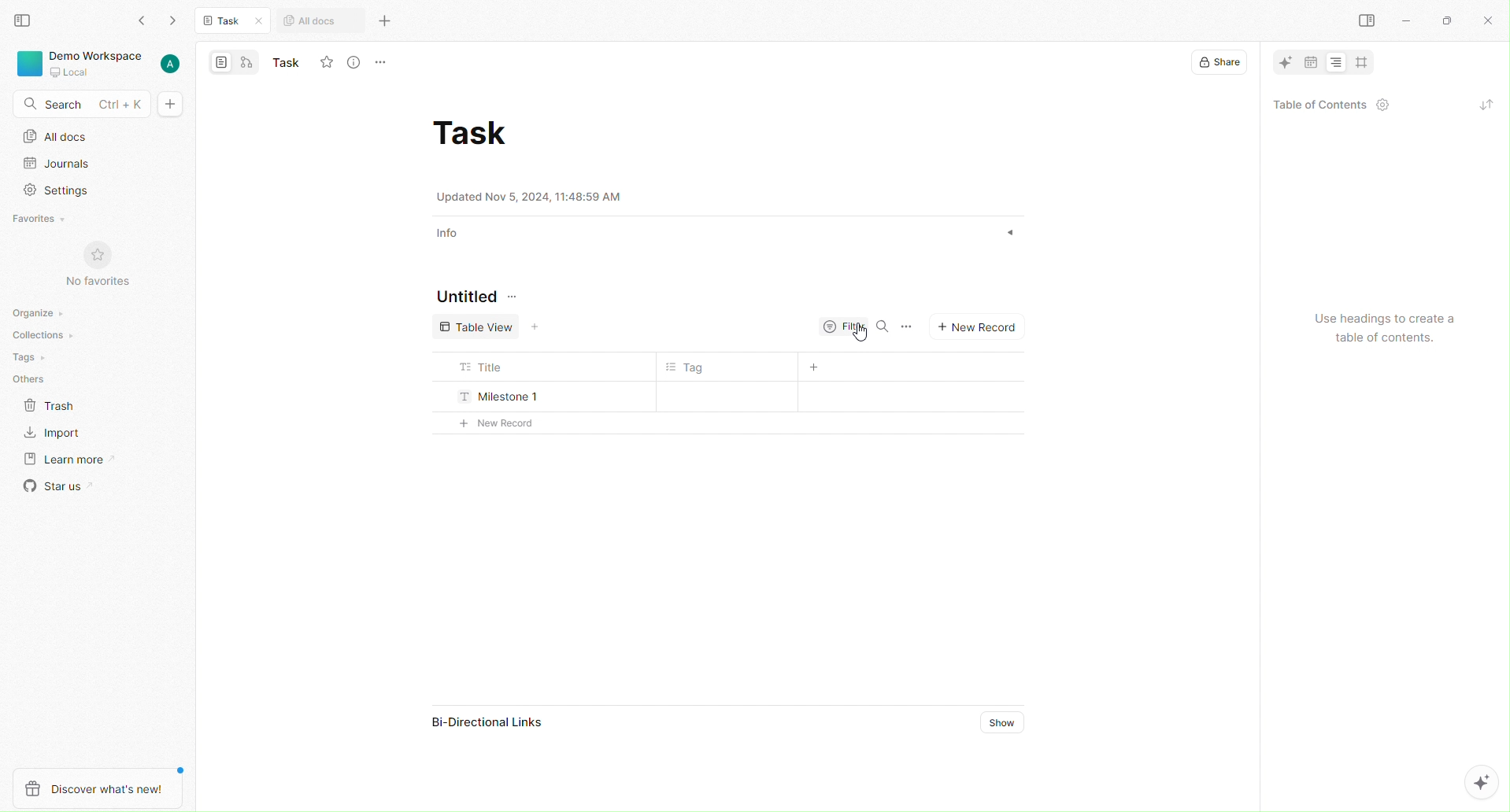  I want to click on Journals, so click(68, 164).